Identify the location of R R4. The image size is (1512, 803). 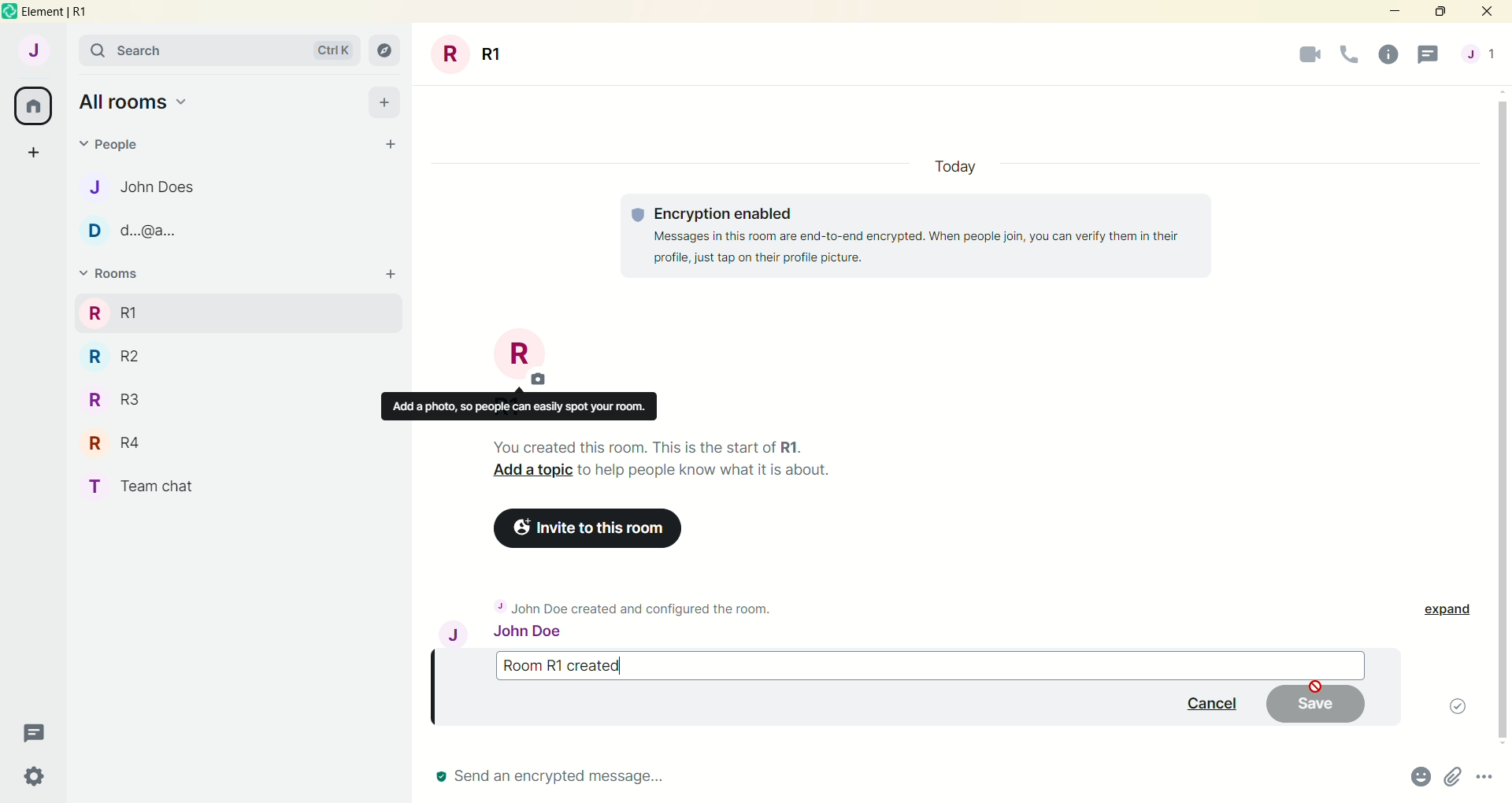
(110, 441).